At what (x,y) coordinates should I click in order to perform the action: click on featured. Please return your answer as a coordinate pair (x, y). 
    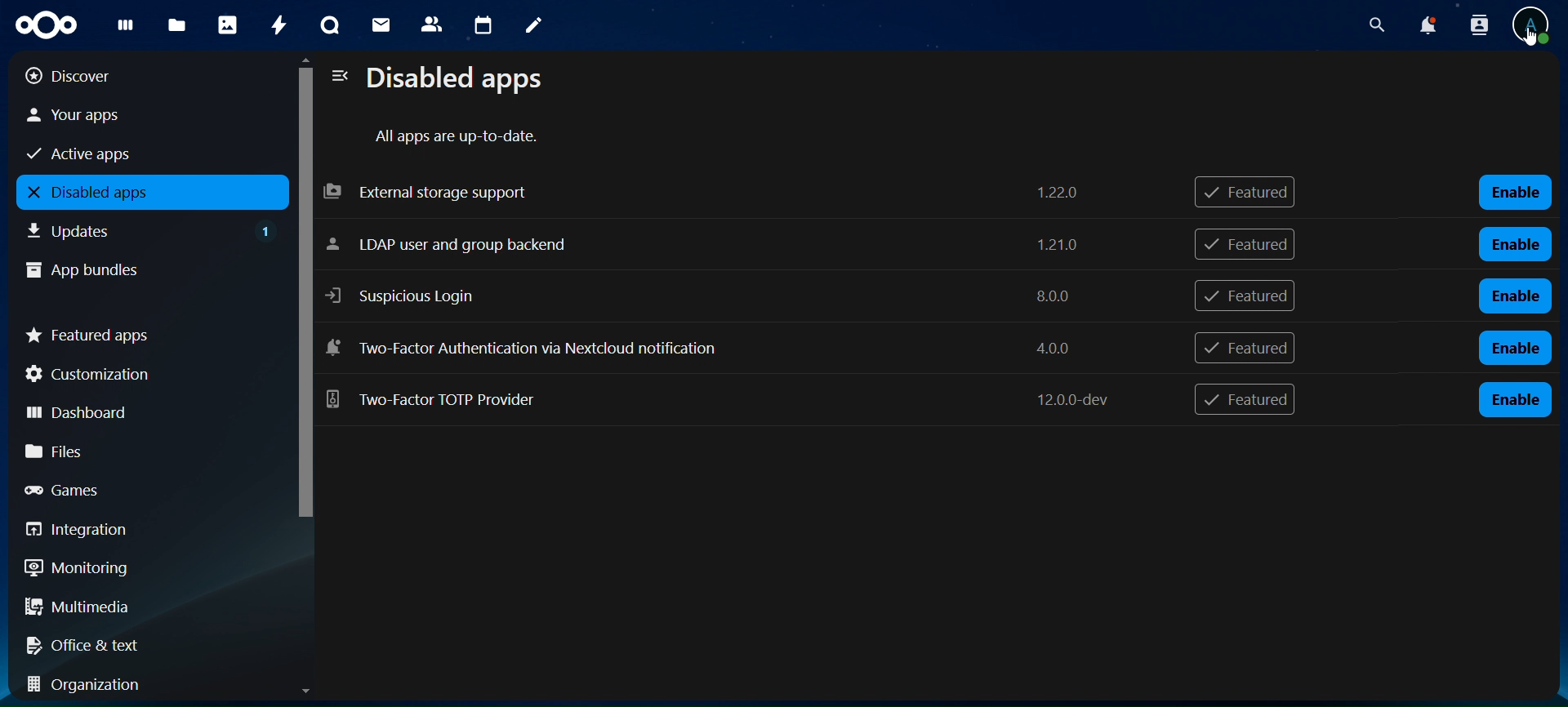
    Looking at the image, I should click on (1244, 401).